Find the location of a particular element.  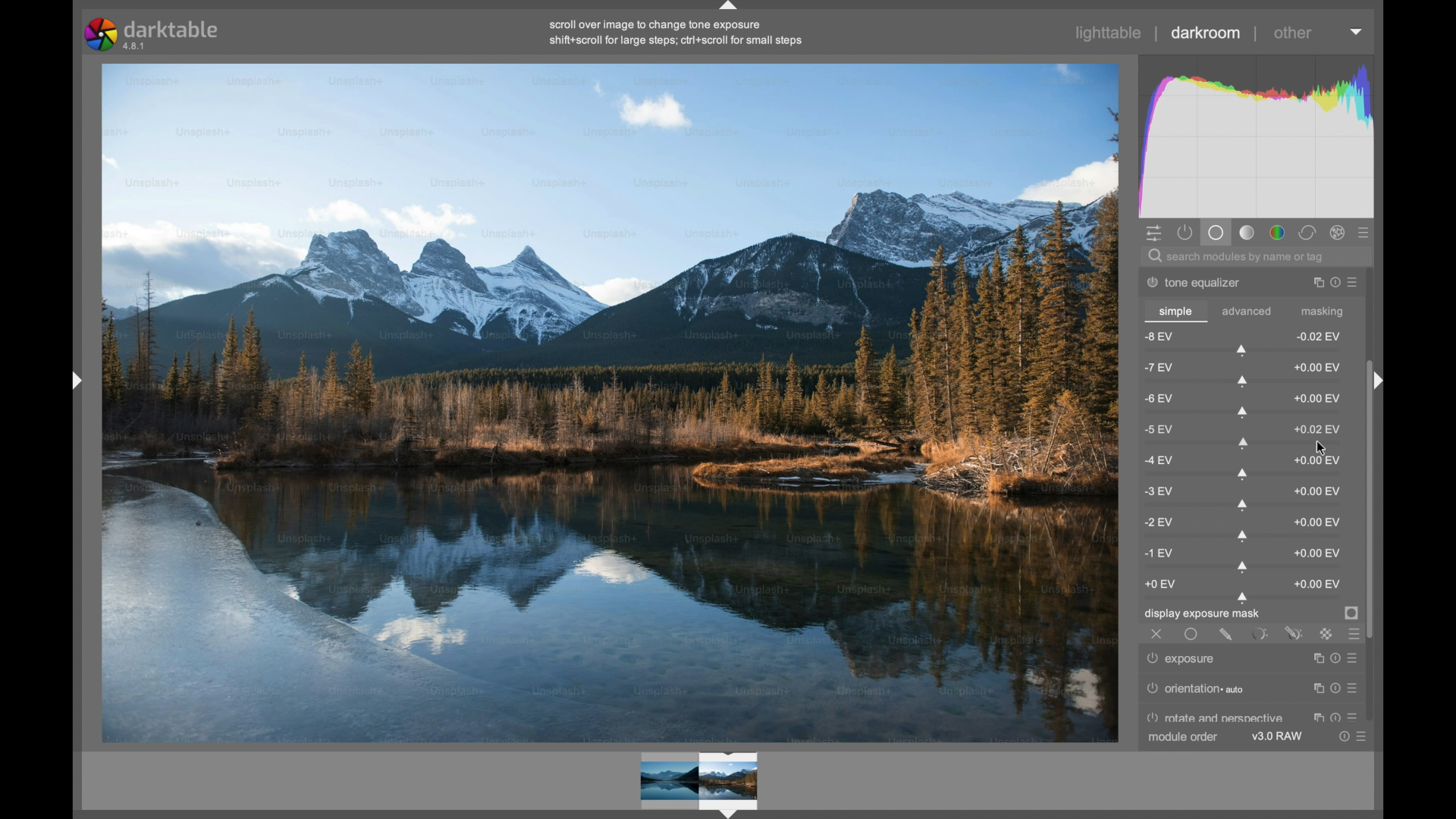

0 ev is located at coordinates (1163, 585).